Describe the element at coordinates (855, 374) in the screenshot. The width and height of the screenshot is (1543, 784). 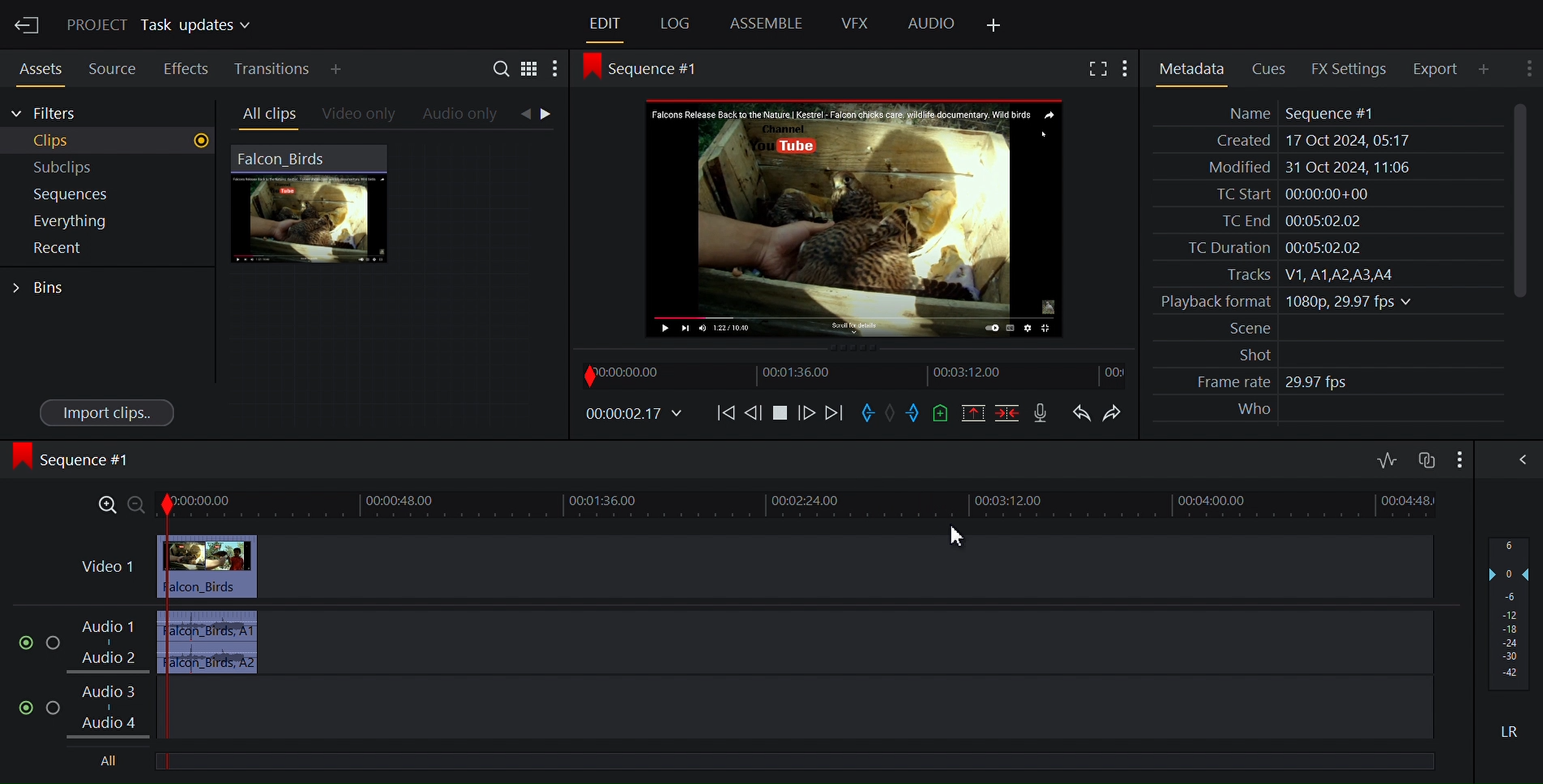
I see `Timeline` at that location.